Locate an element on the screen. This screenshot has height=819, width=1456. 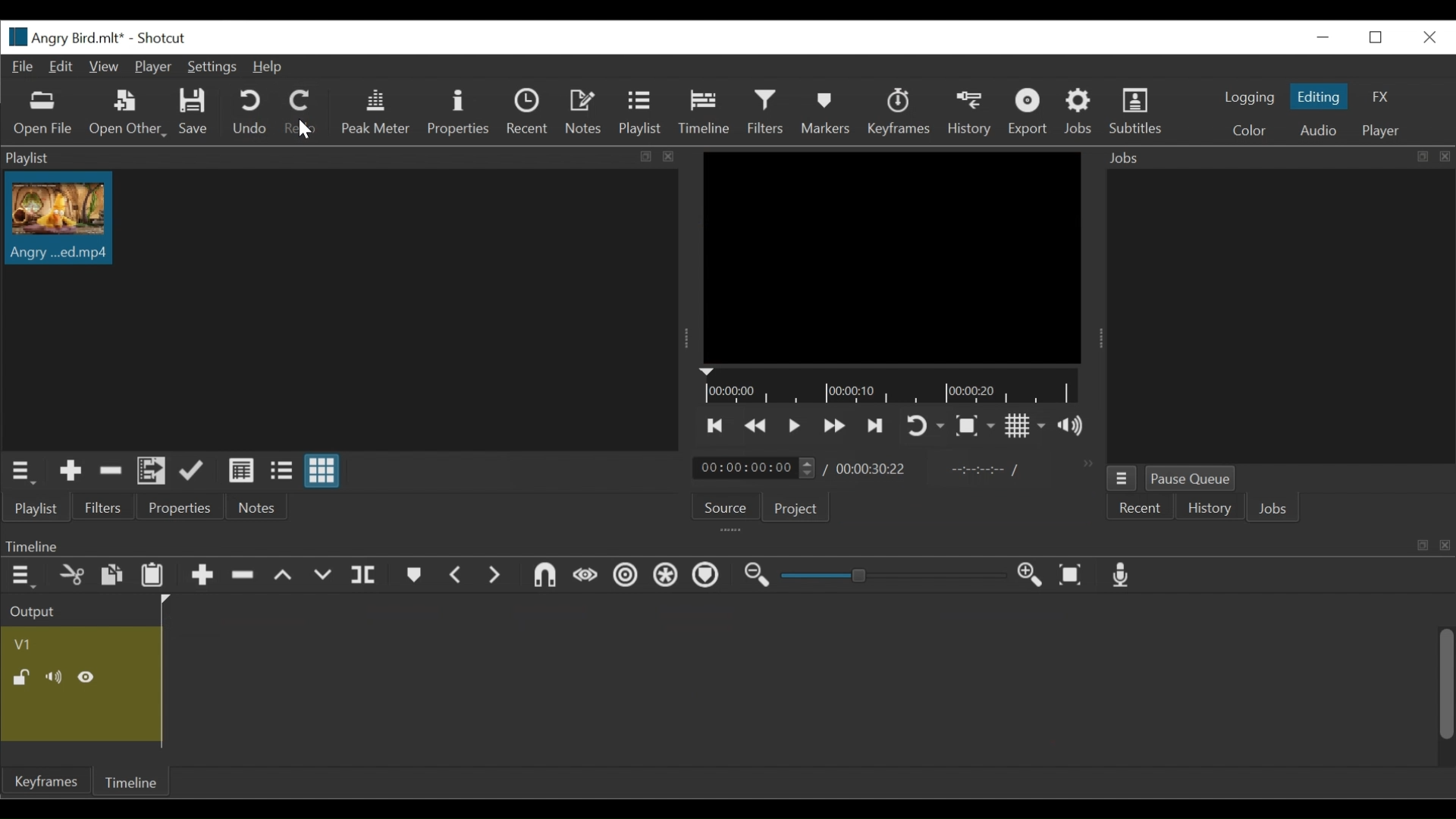
Split playhead is located at coordinates (366, 576).